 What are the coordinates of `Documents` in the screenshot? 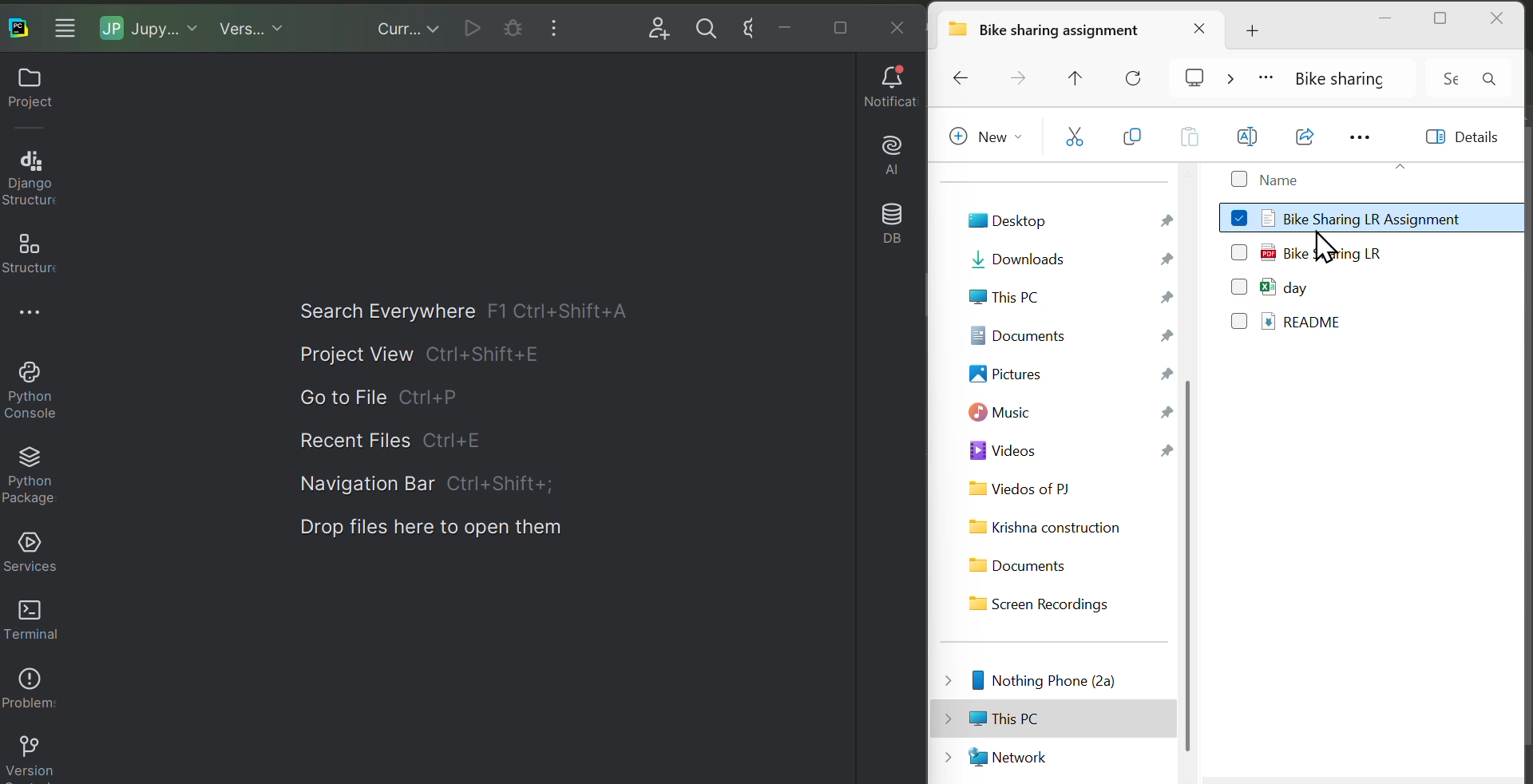 It's located at (1040, 563).